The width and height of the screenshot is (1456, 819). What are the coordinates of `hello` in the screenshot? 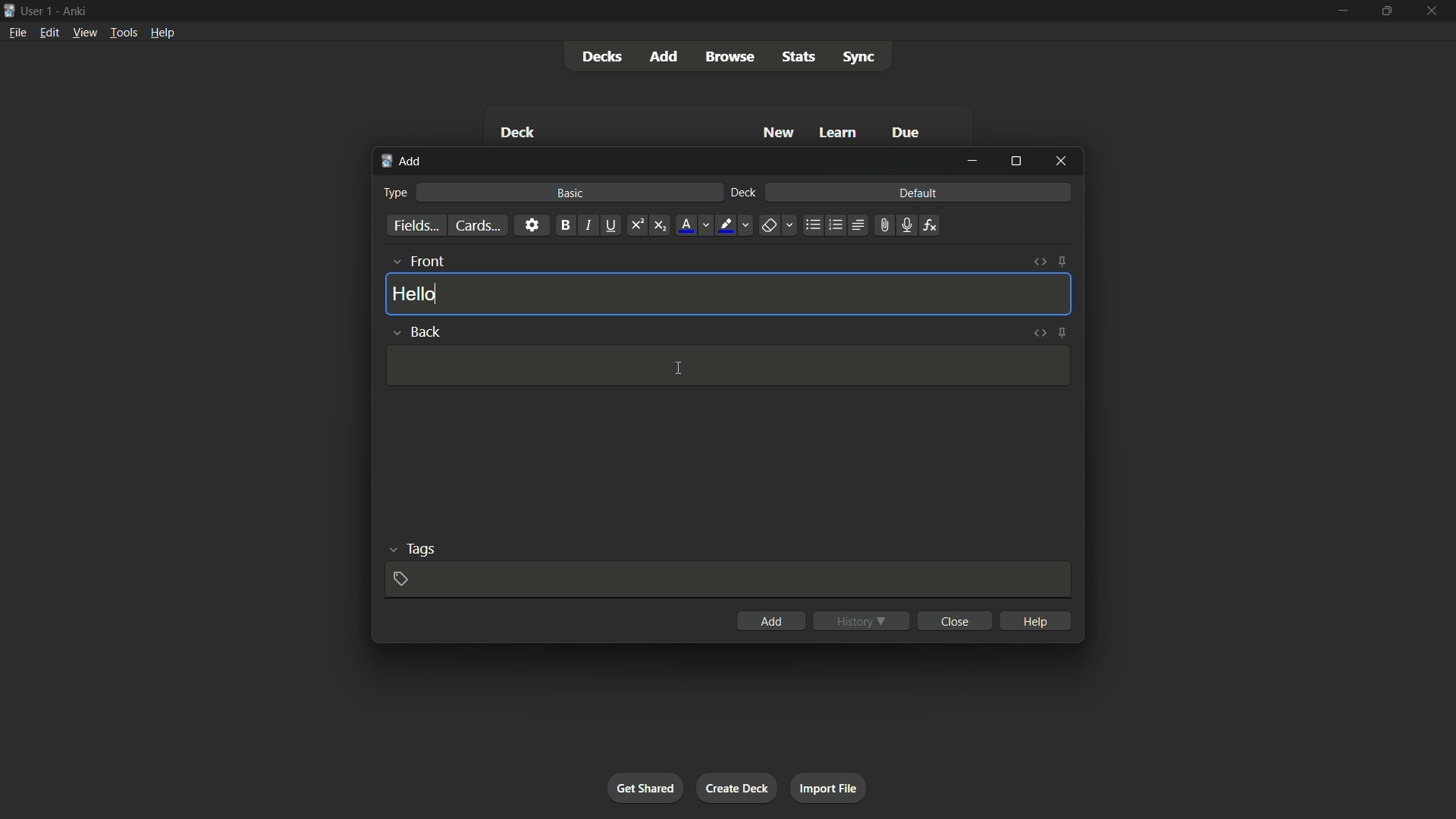 It's located at (416, 293).